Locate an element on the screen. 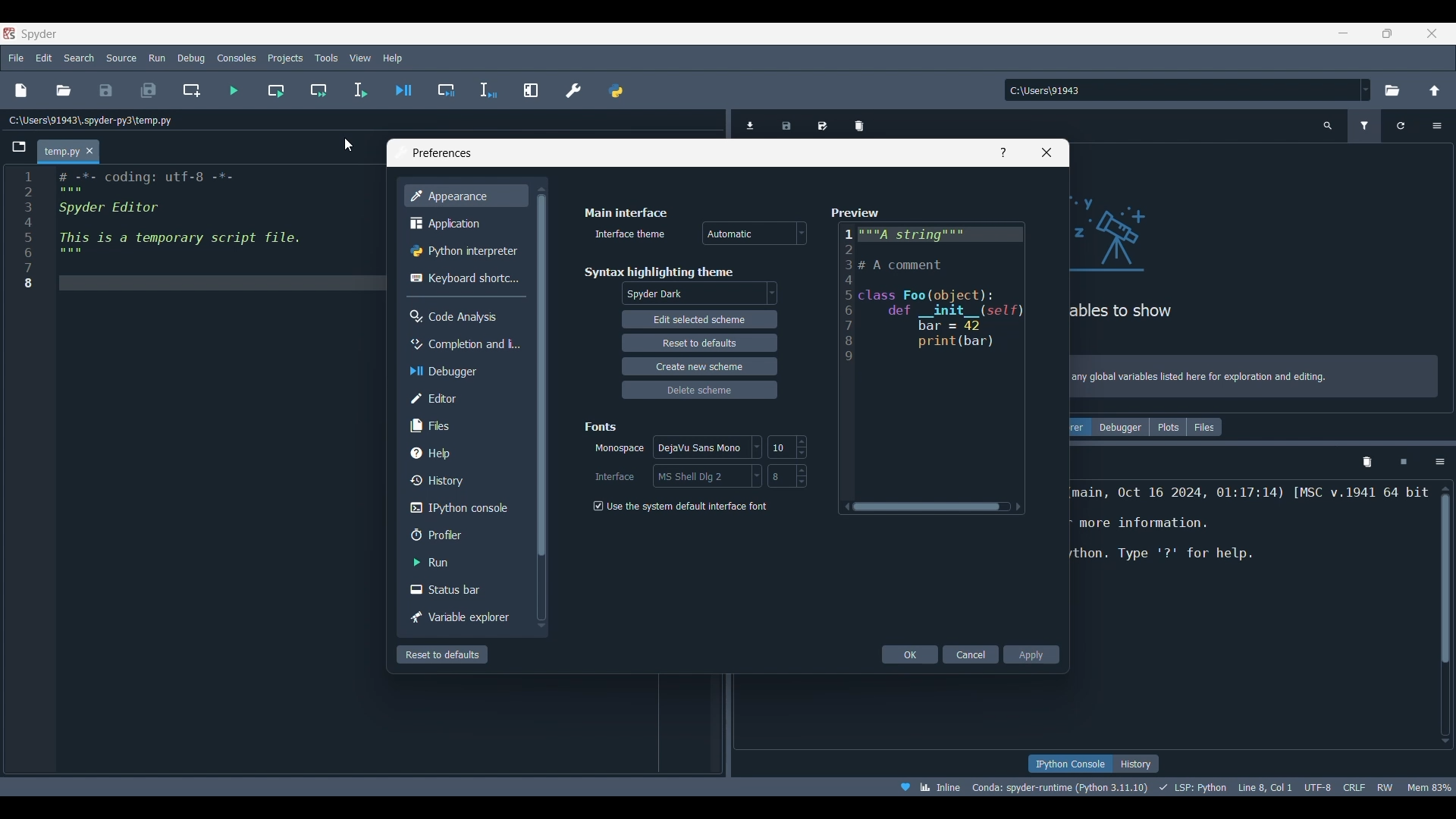 The image size is (1456, 819). Profiler is located at coordinates (446, 533).